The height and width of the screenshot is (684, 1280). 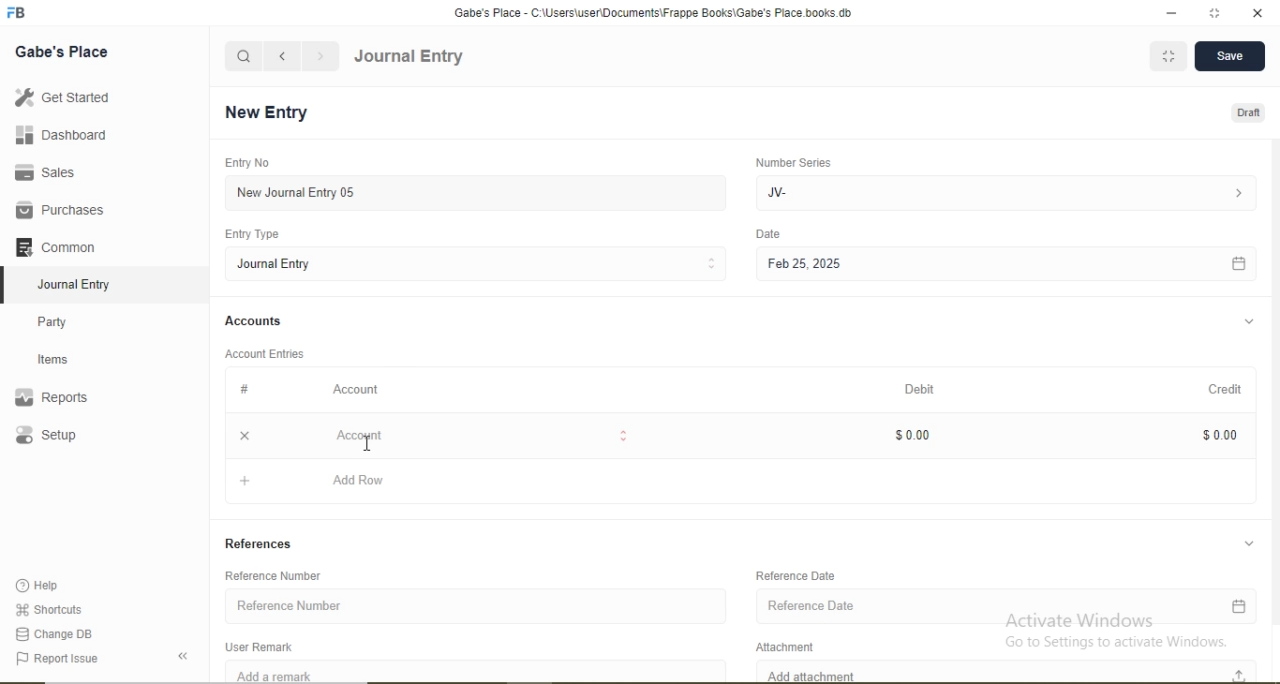 I want to click on Reference Date, so click(x=1006, y=608).